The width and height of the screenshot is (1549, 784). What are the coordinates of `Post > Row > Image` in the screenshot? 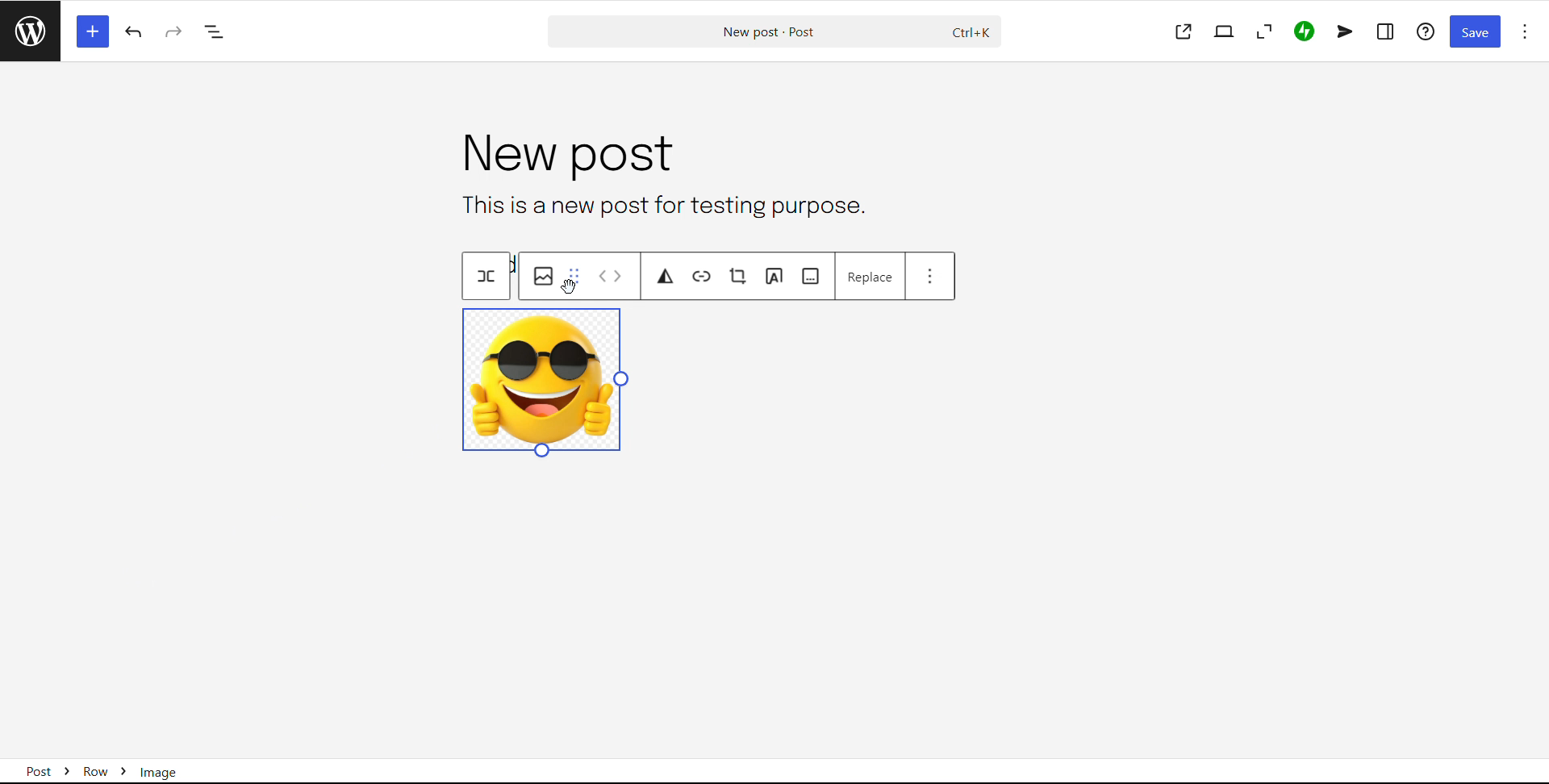 It's located at (114, 766).